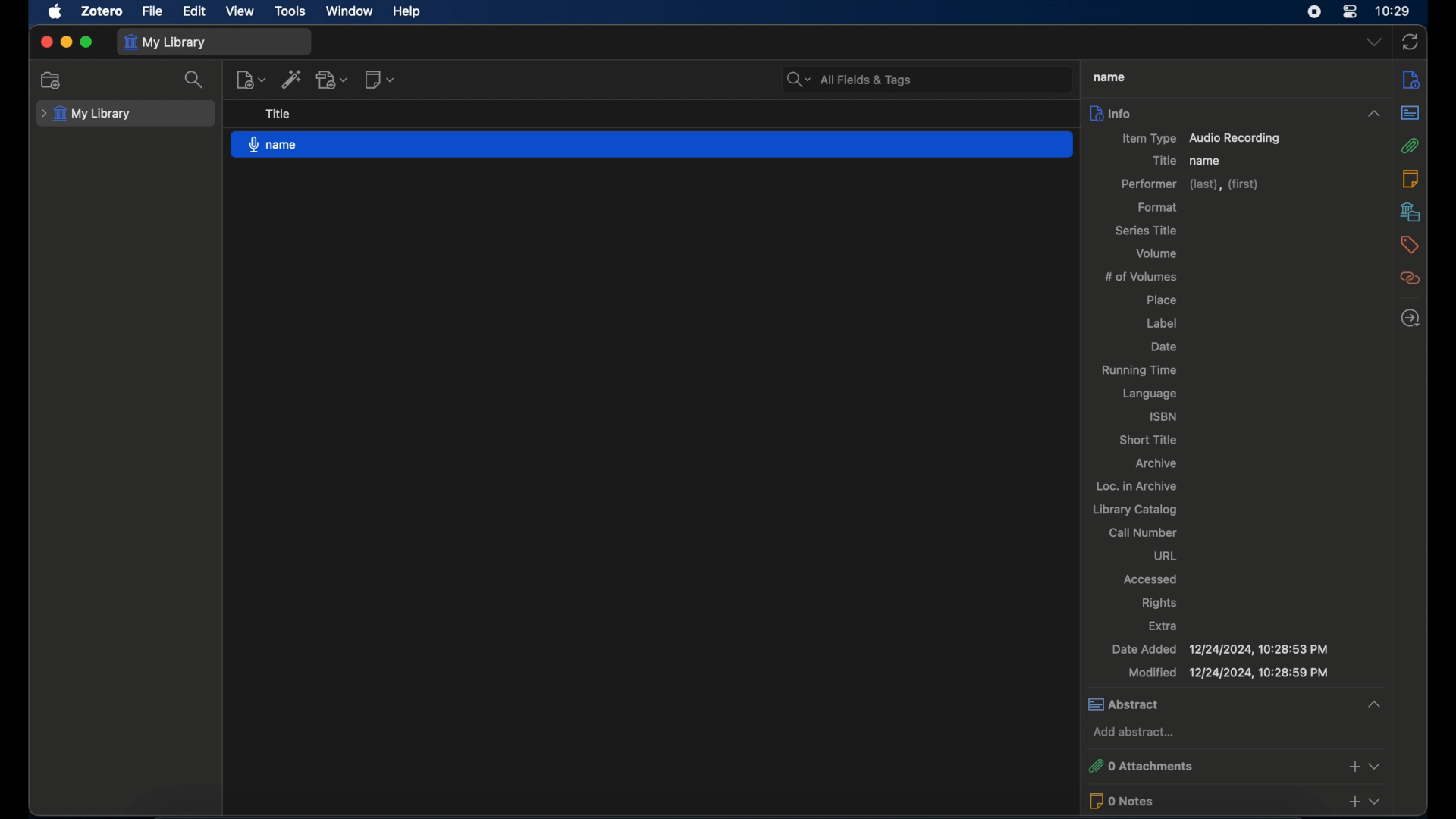  What do you see at coordinates (86, 115) in the screenshot?
I see `my library` at bounding box center [86, 115].